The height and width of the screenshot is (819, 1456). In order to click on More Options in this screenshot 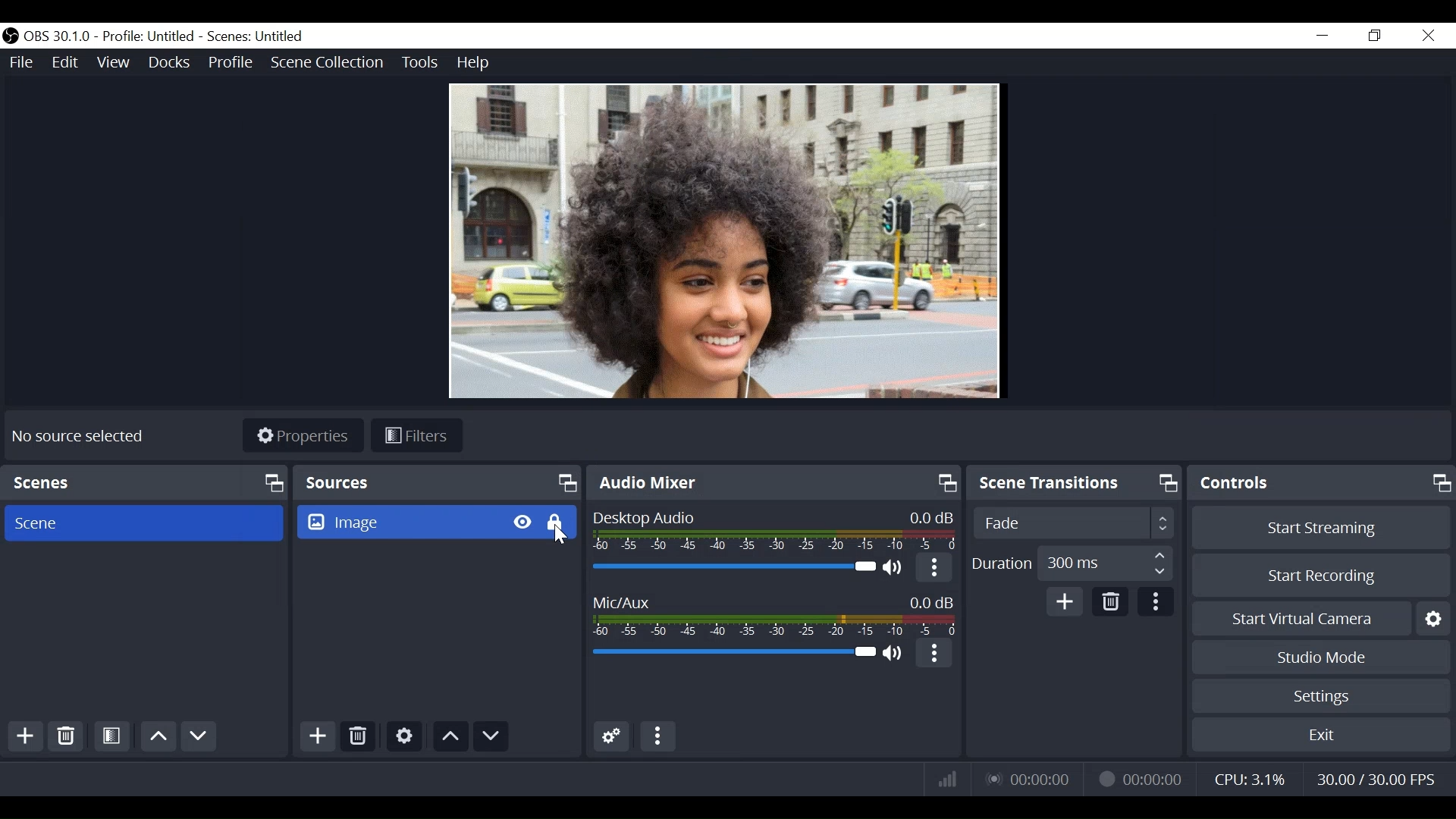, I will do `click(659, 736)`.